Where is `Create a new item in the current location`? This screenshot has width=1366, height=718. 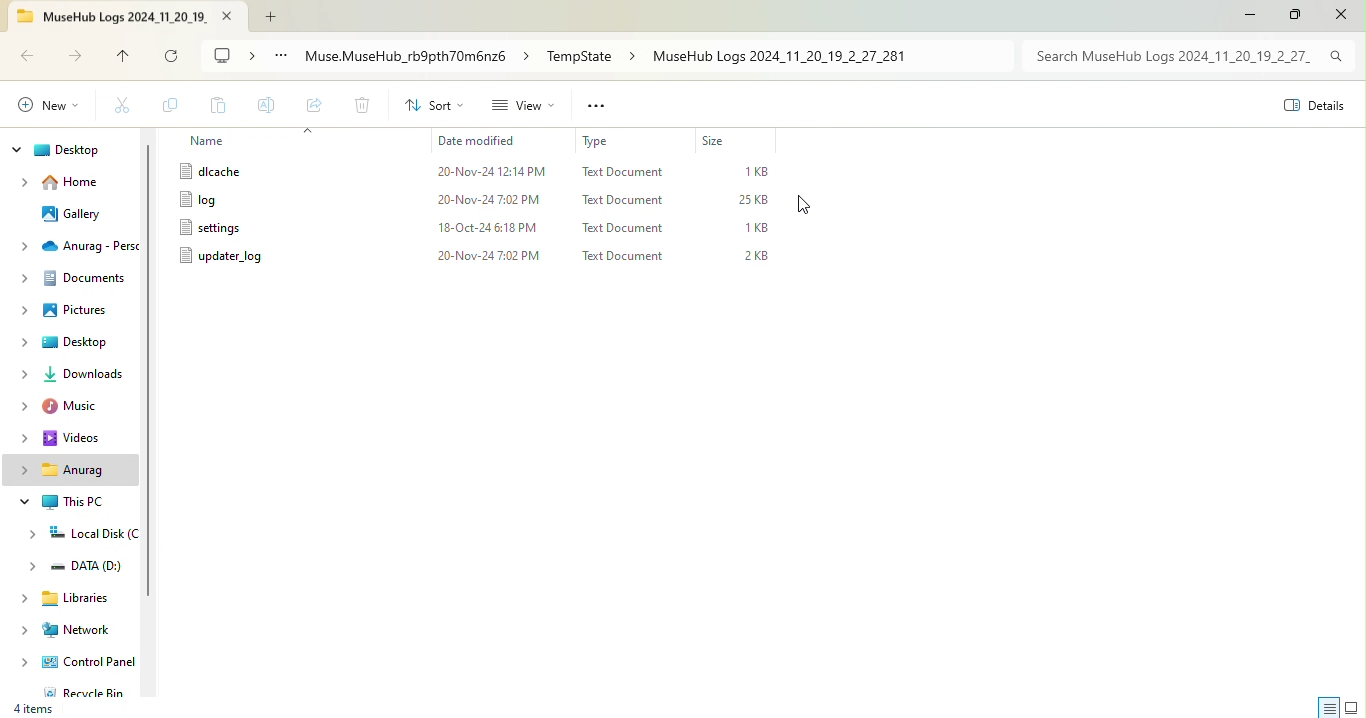 Create a new item in the current location is located at coordinates (46, 102).